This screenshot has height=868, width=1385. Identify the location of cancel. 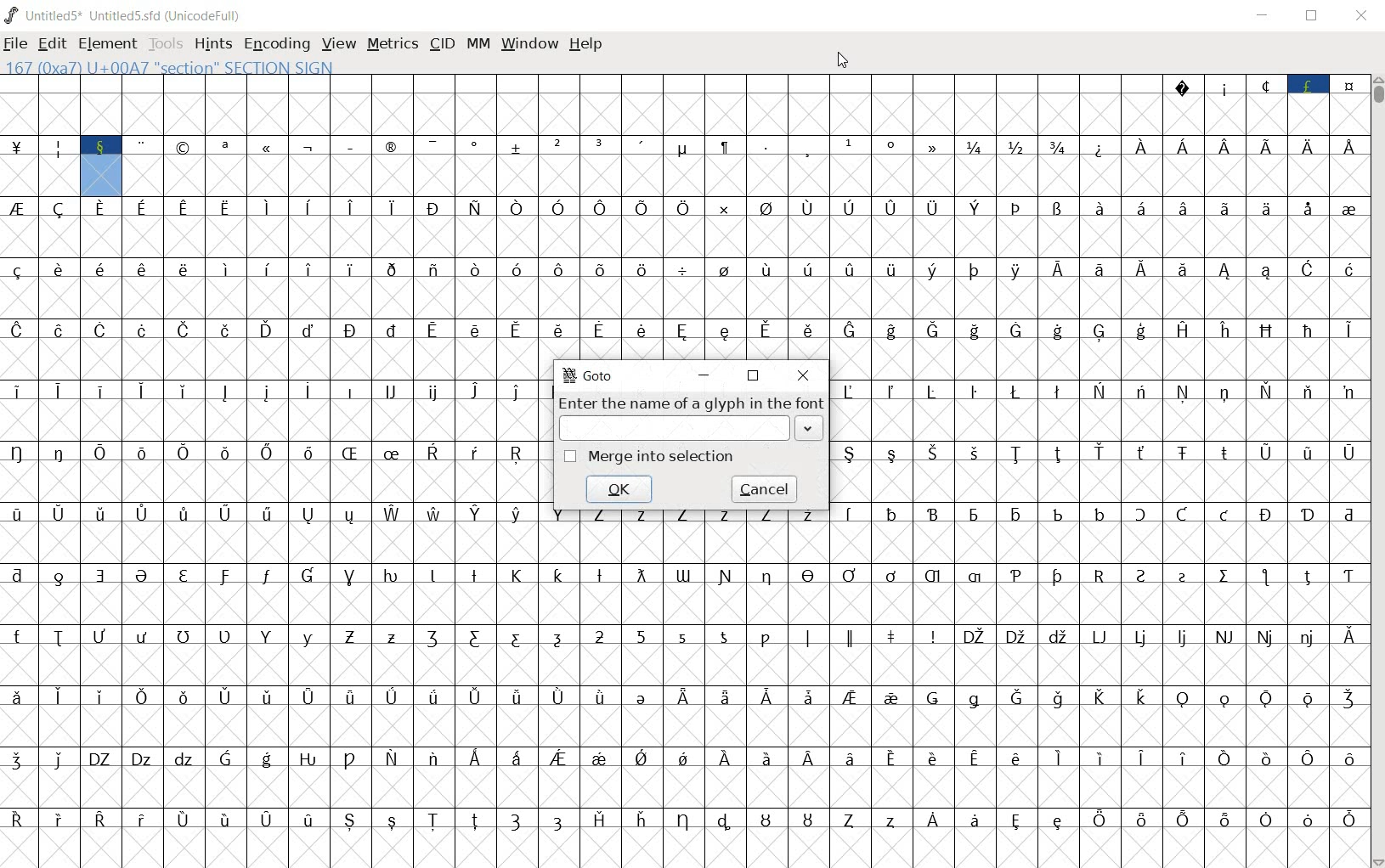
(762, 490).